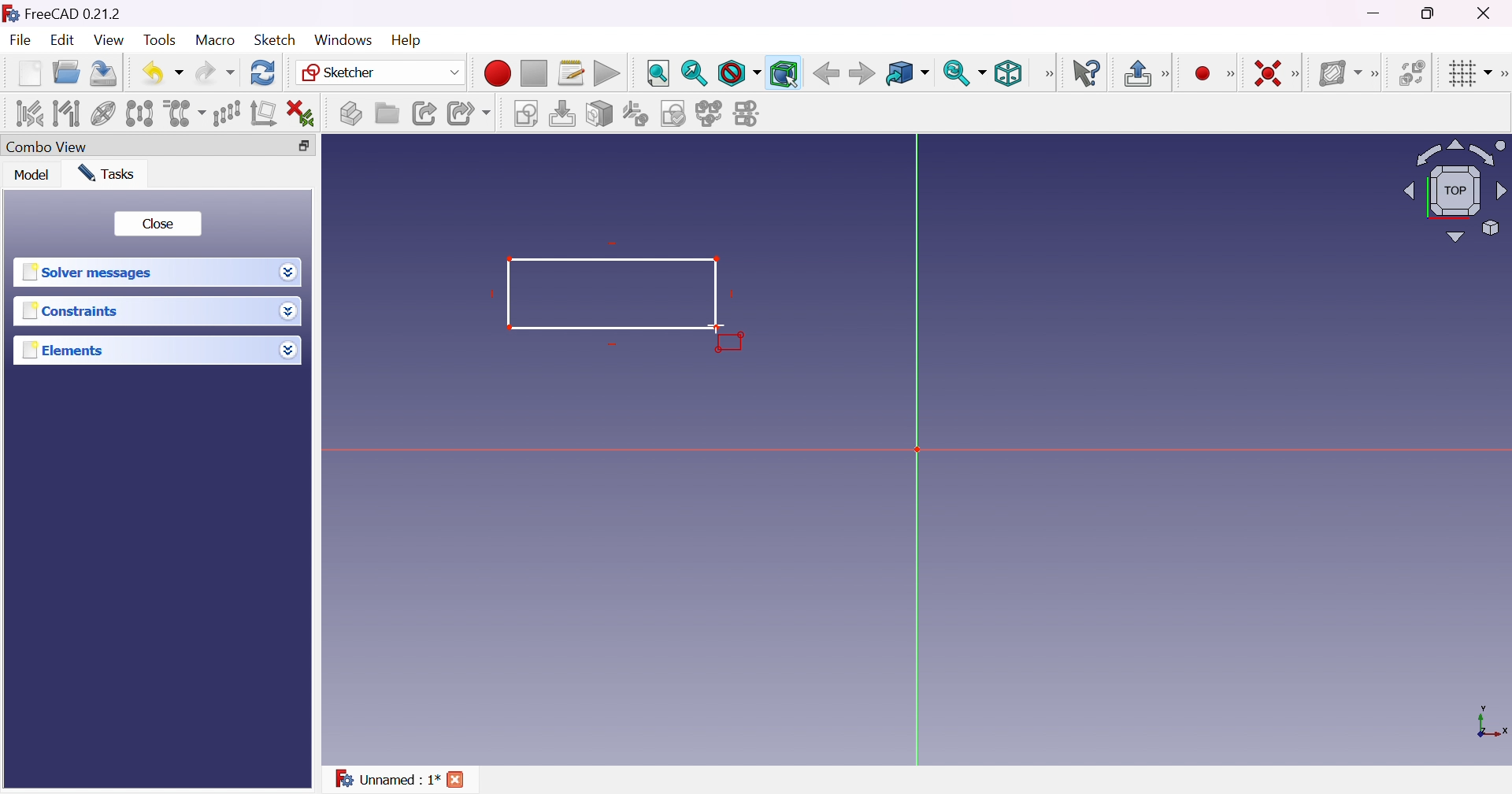  What do you see at coordinates (1201, 73) in the screenshot?
I see `Create point` at bounding box center [1201, 73].